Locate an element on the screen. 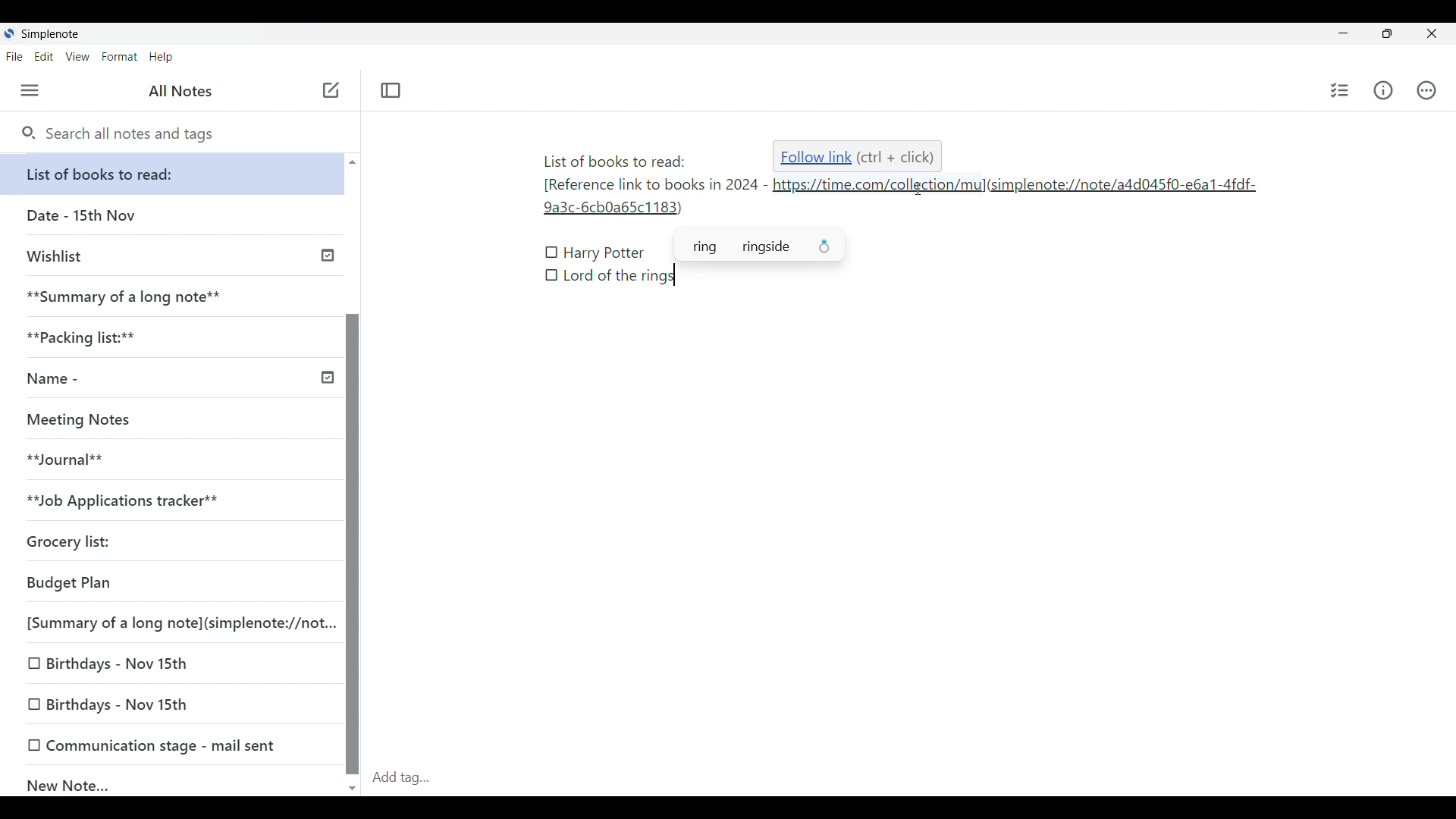  Format is located at coordinates (120, 57).